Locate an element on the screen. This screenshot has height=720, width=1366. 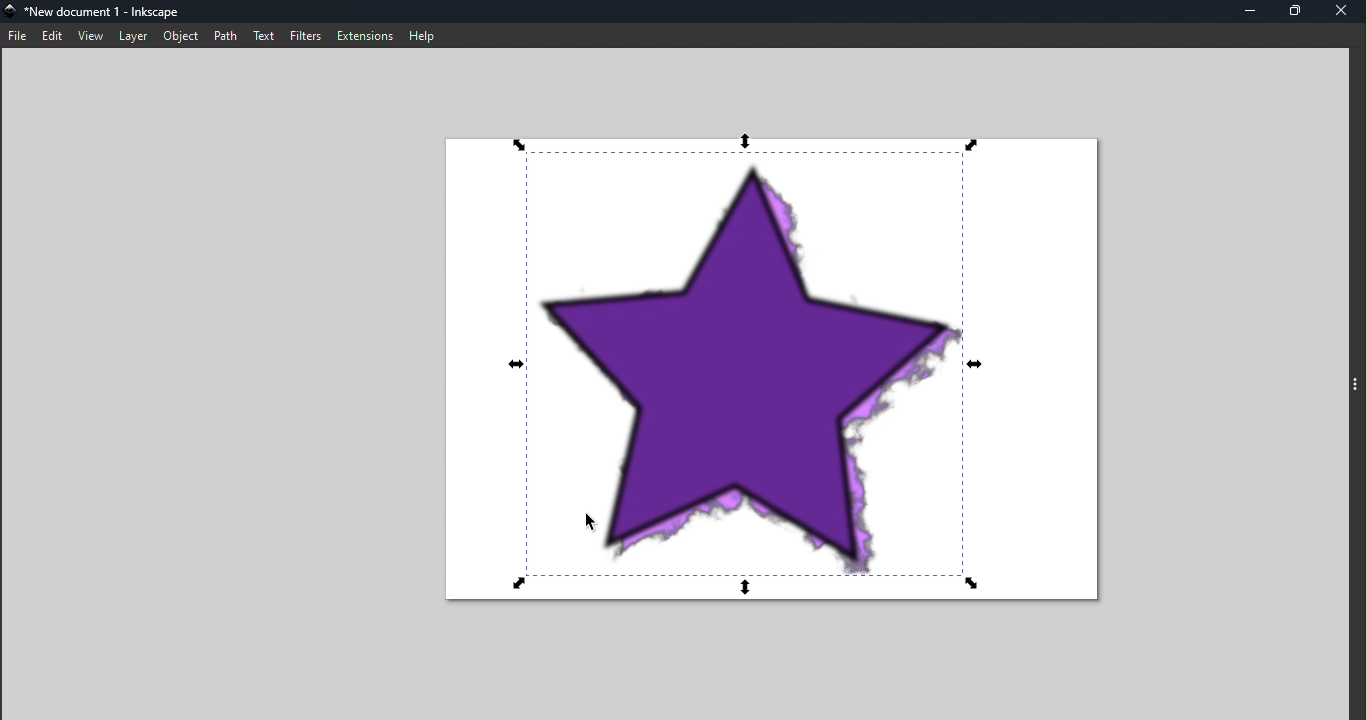
Help is located at coordinates (423, 33).